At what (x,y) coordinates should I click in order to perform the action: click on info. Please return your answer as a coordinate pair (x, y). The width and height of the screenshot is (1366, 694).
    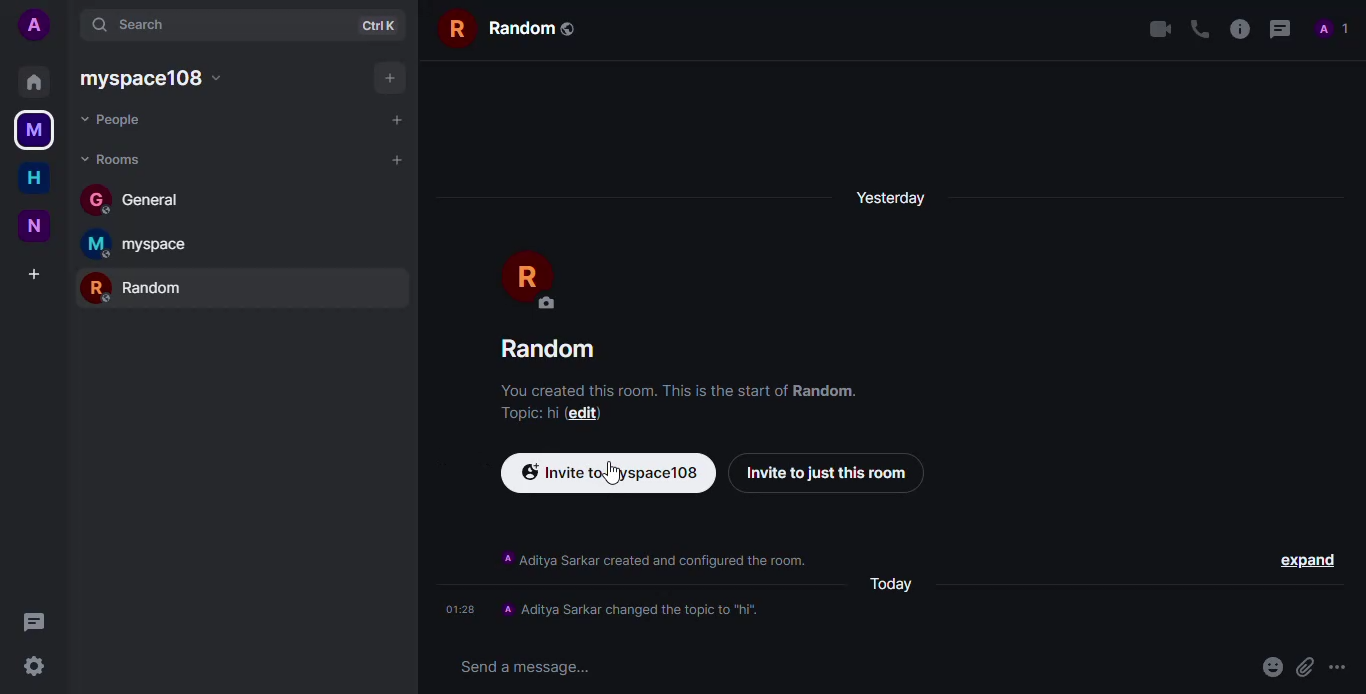
    Looking at the image, I should click on (683, 388).